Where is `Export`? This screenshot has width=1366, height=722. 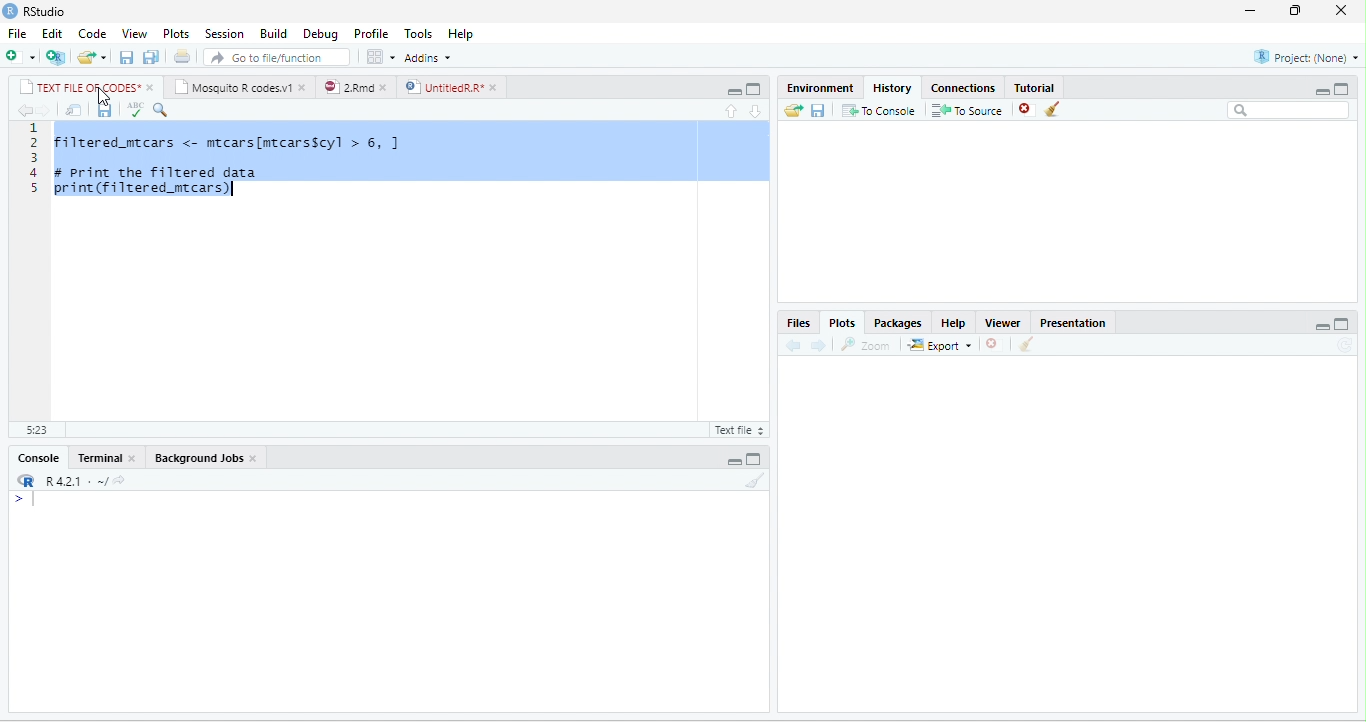
Export is located at coordinates (939, 345).